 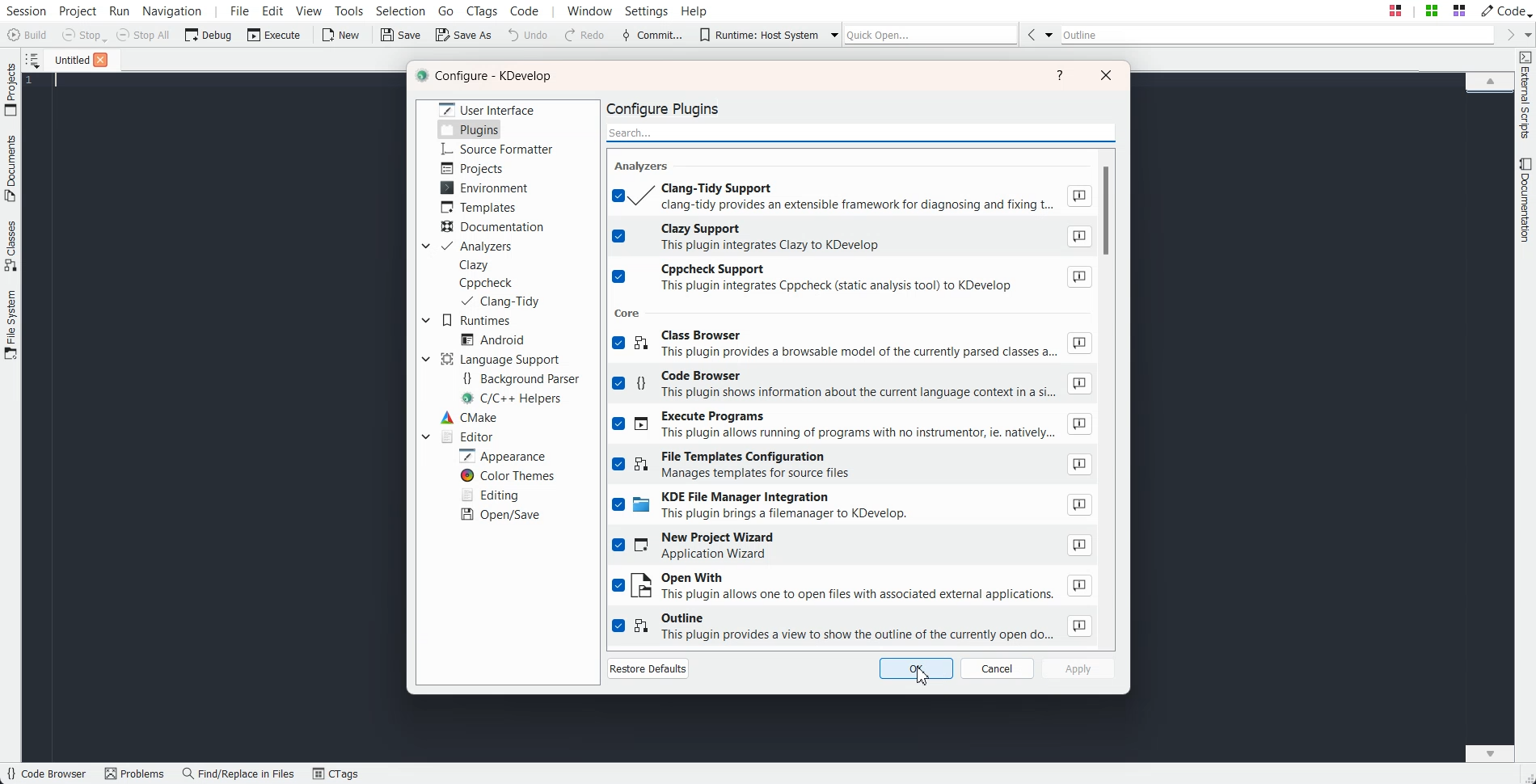 What do you see at coordinates (504, 359) in the screenshot?
I see `Language Support` at bounding box center [504, 359].